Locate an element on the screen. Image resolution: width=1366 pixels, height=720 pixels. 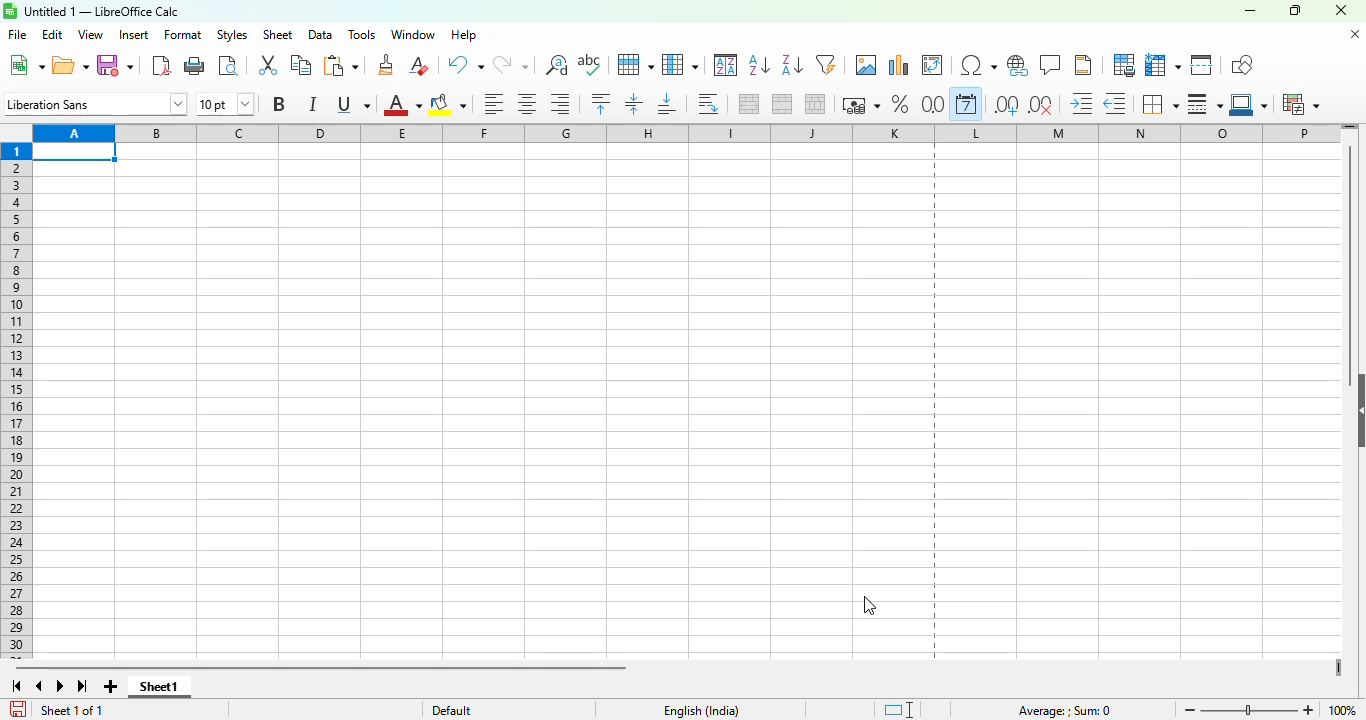
sheet is located at coordinates (277, 35).